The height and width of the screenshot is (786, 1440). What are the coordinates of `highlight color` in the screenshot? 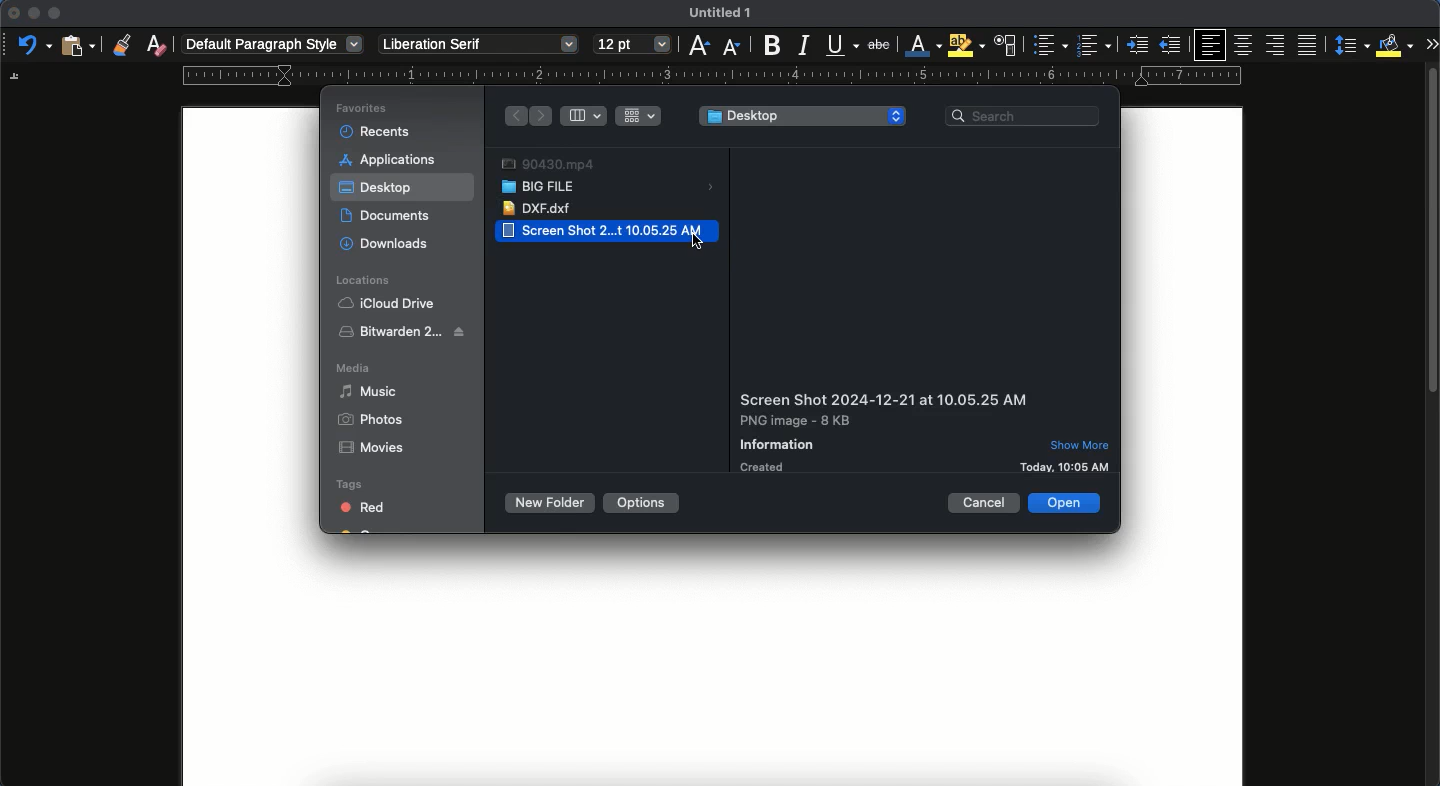 It's located at (966, 45).